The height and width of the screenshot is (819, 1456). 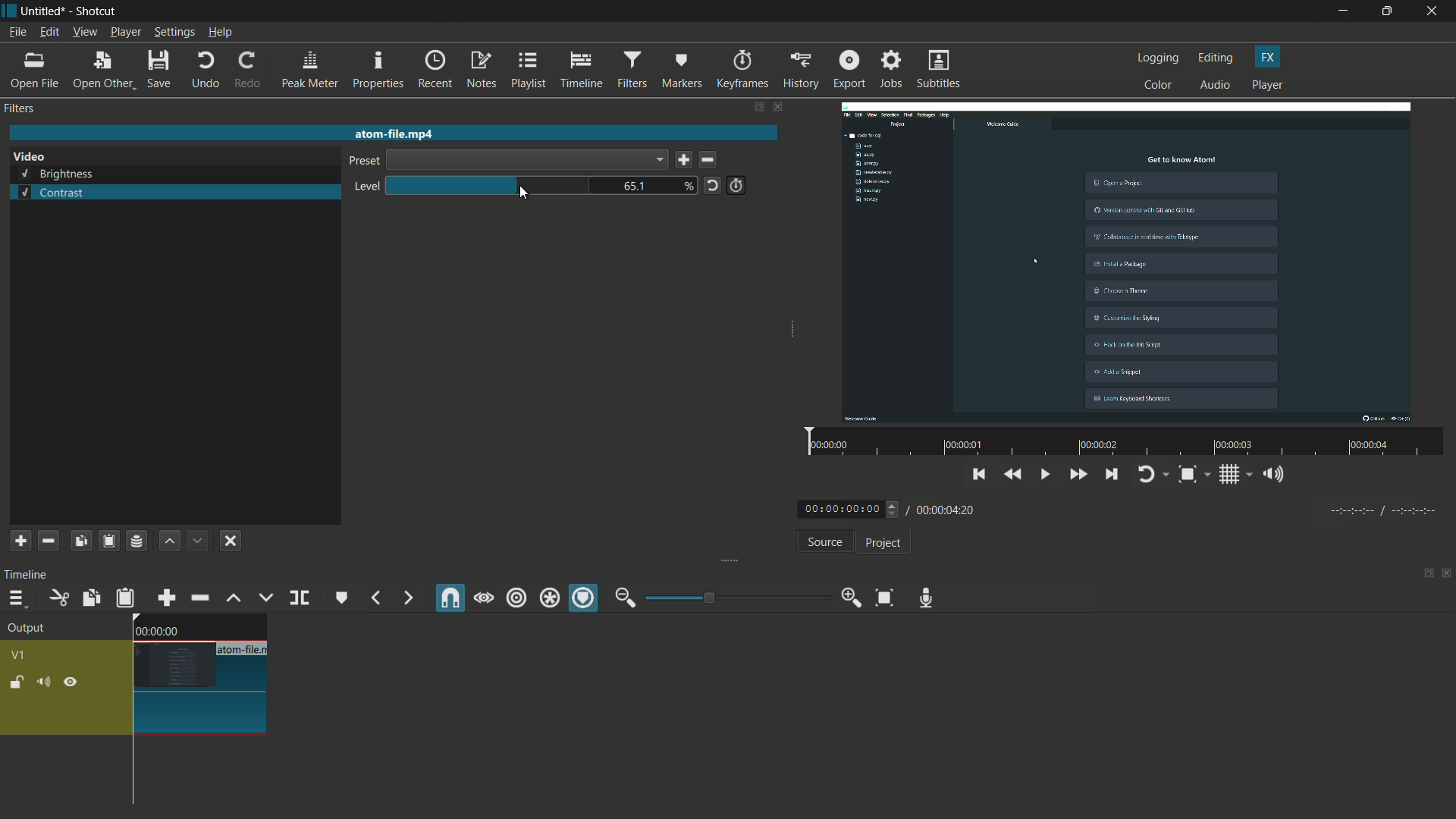 I want to click on video time, so click(x=1122, y=443).